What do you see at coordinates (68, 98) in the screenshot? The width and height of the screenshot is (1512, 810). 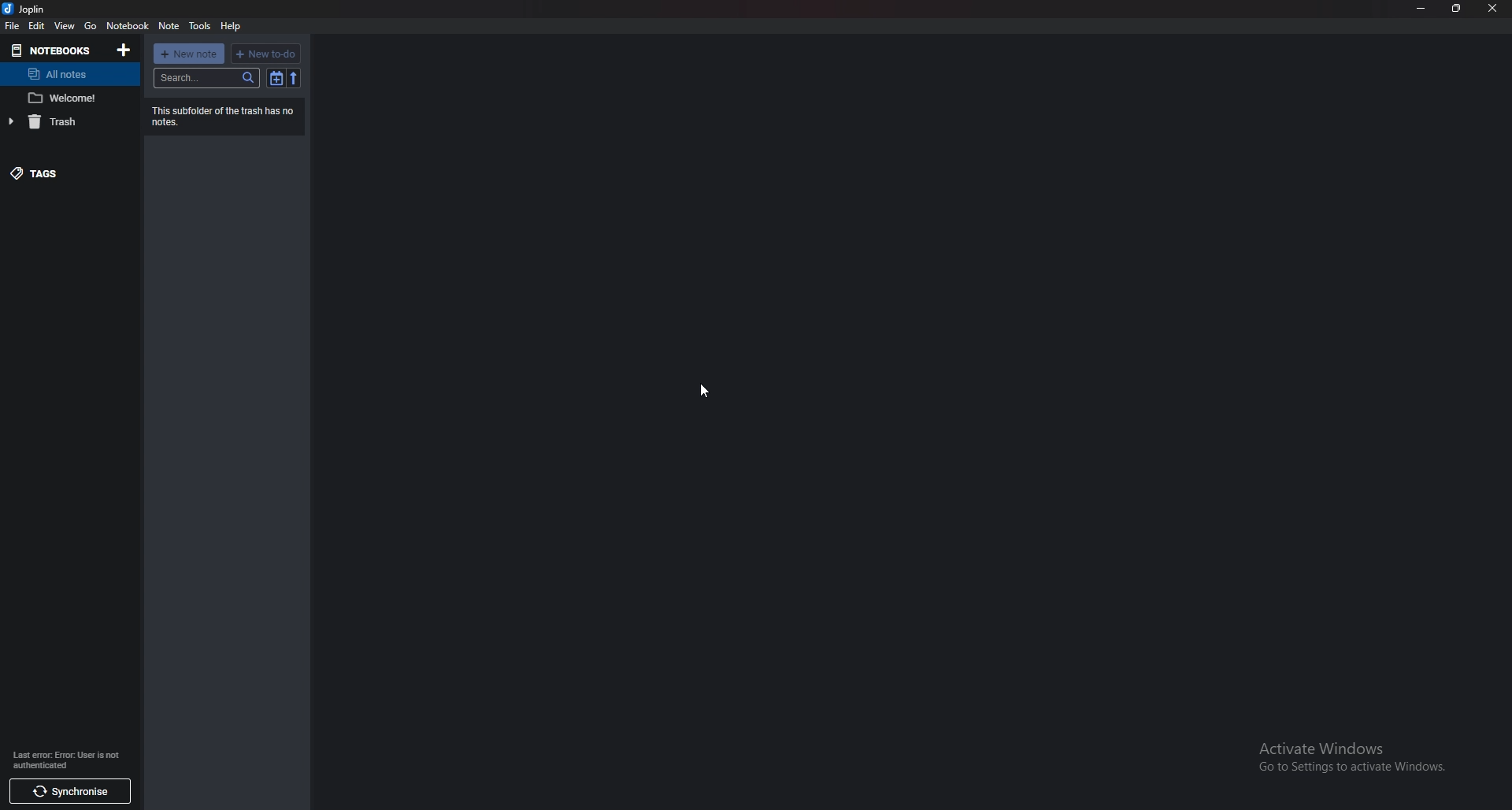 I see `Note` at bounding box center [68, 98].